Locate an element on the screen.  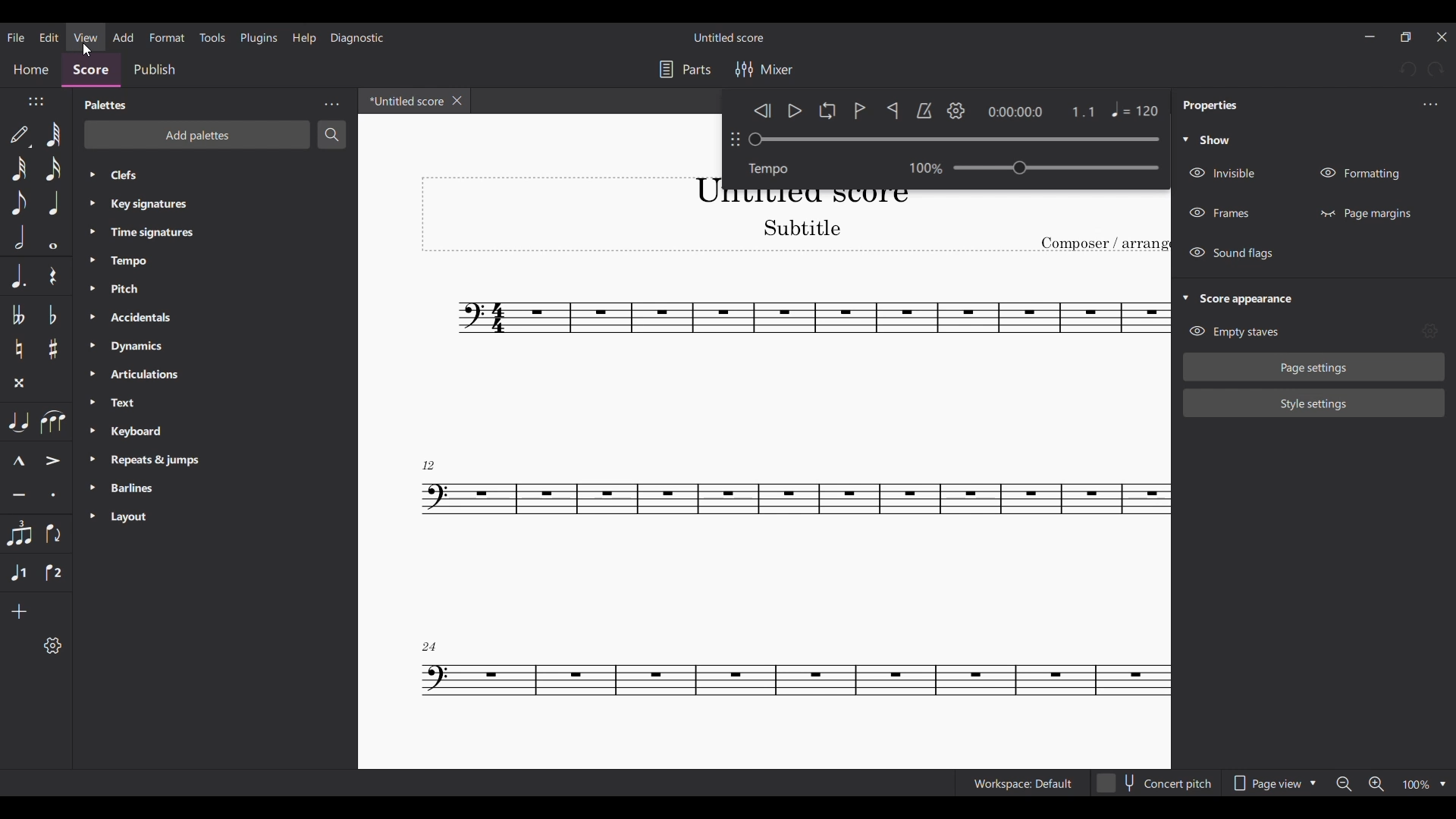
Redo is located at coordinates (1436, 70).